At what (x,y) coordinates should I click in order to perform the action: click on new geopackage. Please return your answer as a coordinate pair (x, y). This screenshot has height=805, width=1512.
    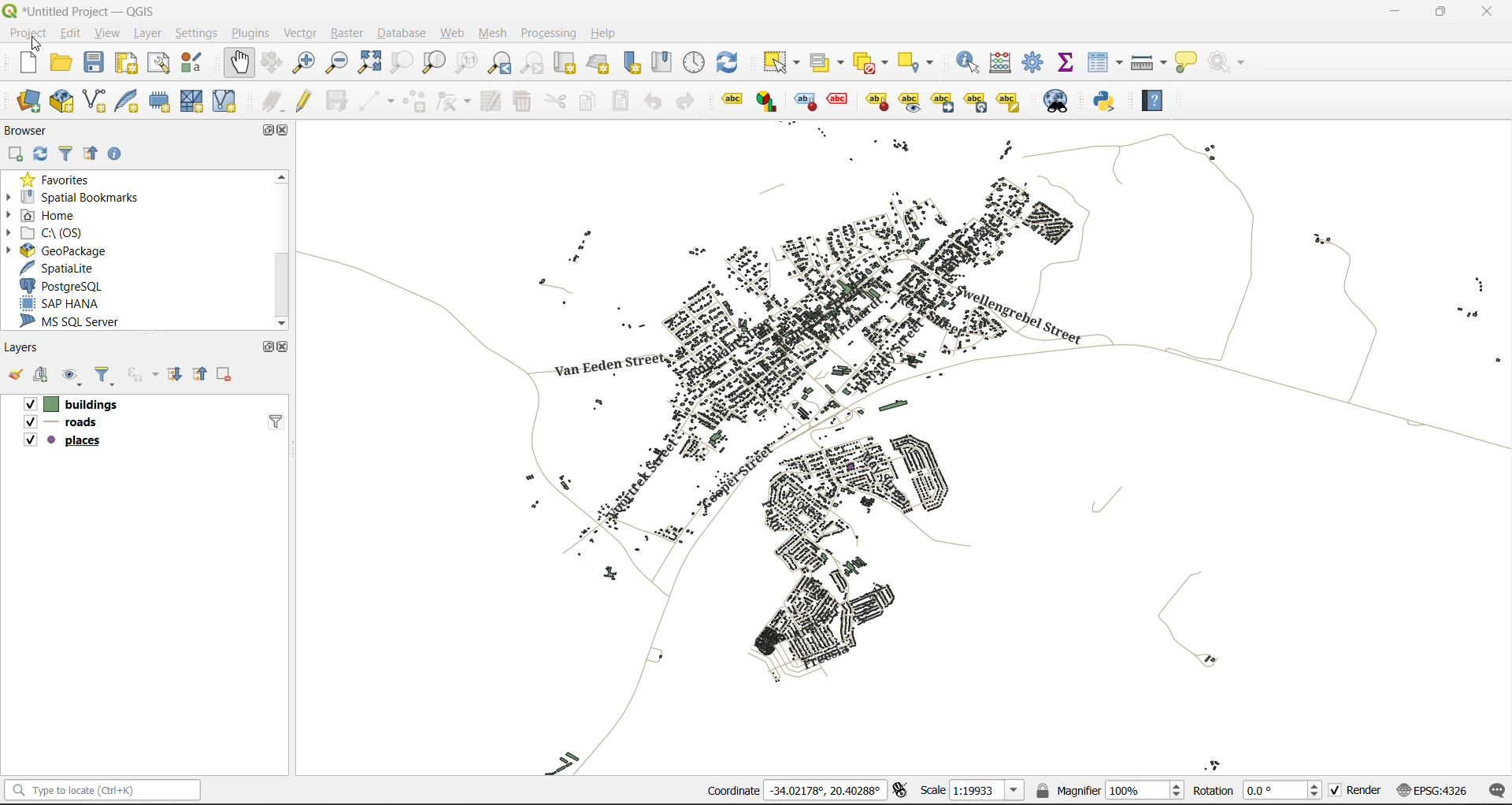
    Looking at the image, I should click on (61, 102).